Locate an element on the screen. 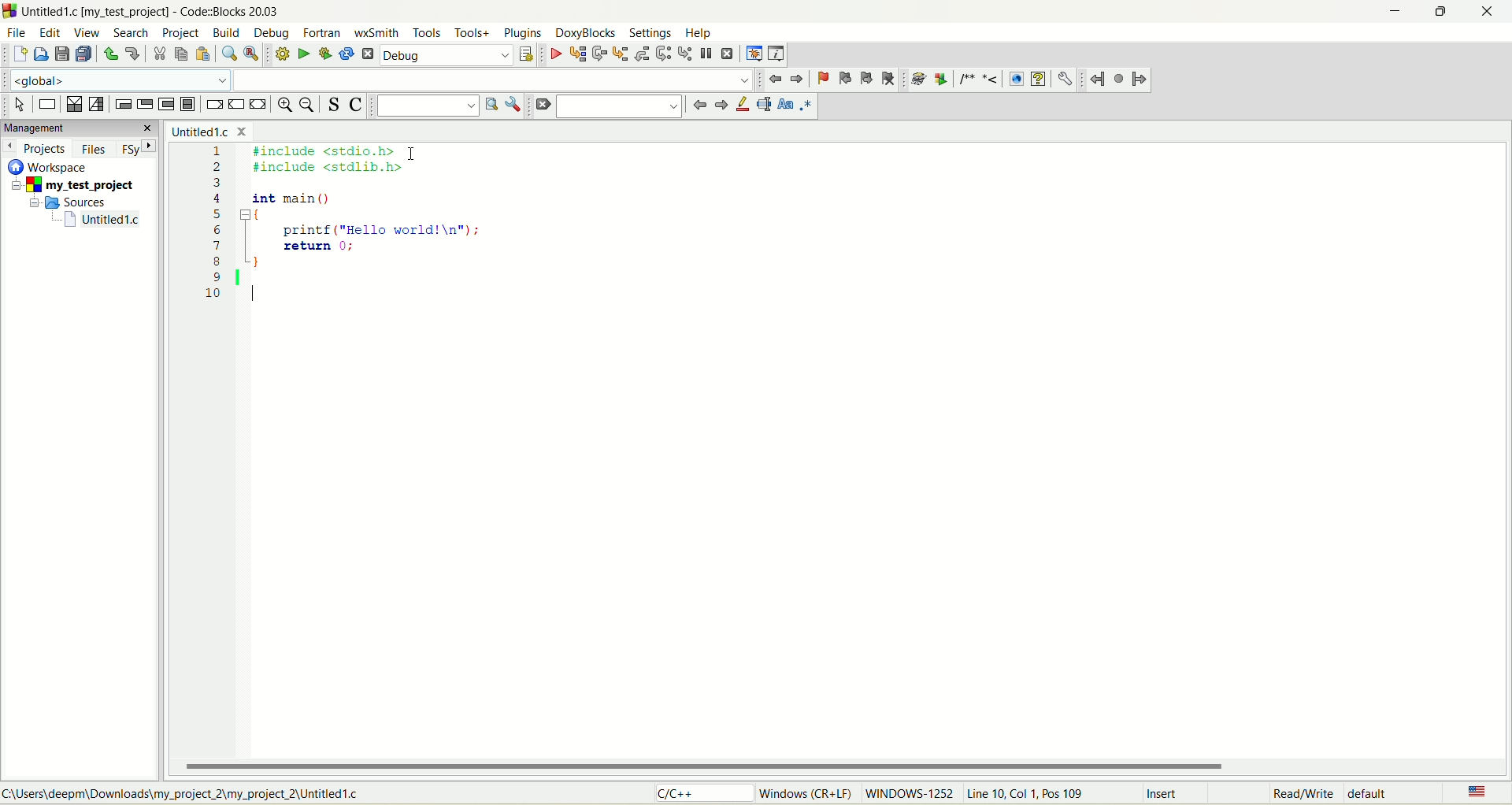 Image resolution: width=1512 pixels, height=805 pixels. stop debugger is located at coordinates (727, 55).